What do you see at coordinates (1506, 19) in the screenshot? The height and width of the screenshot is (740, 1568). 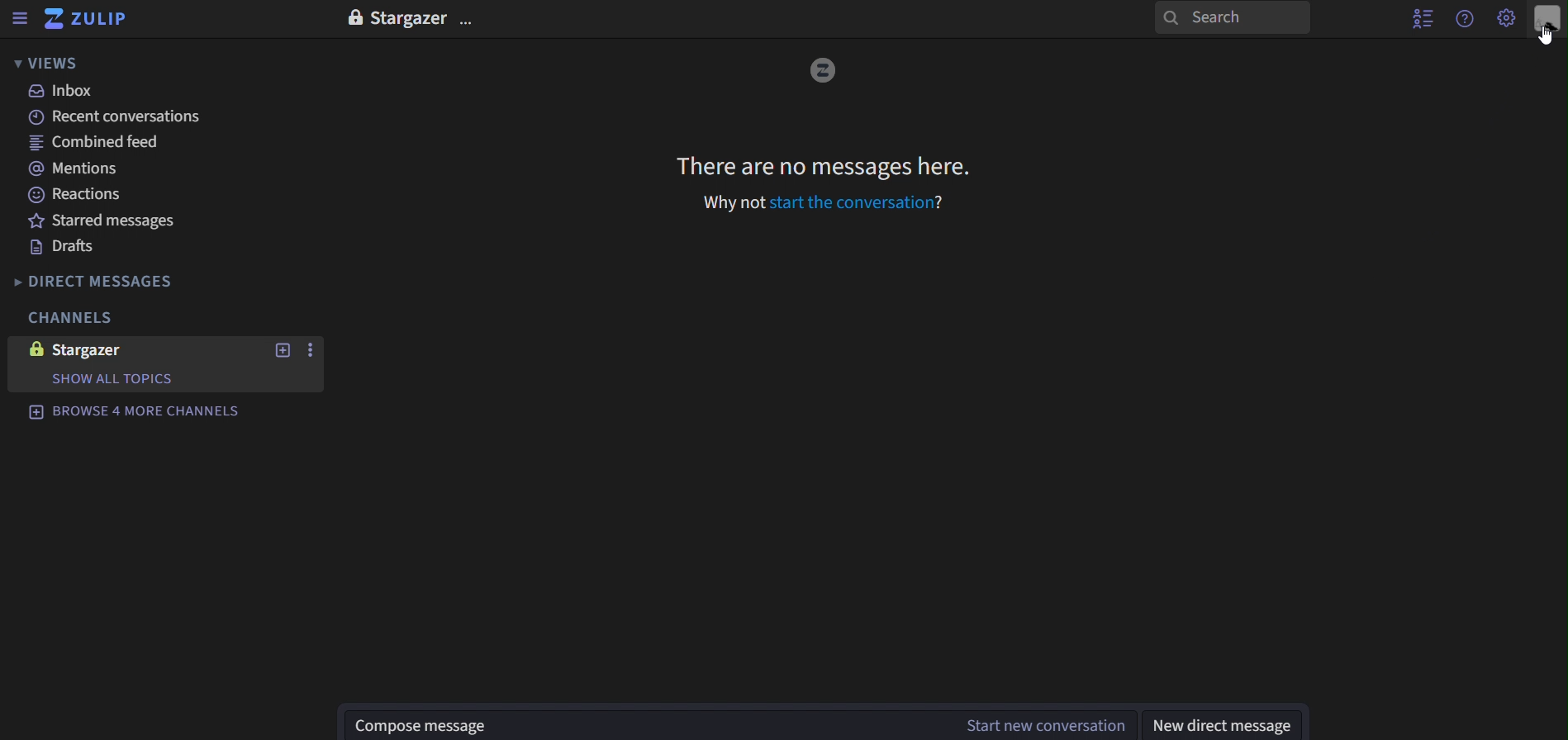 I see `main menu` at bounding box center [1506, 19].